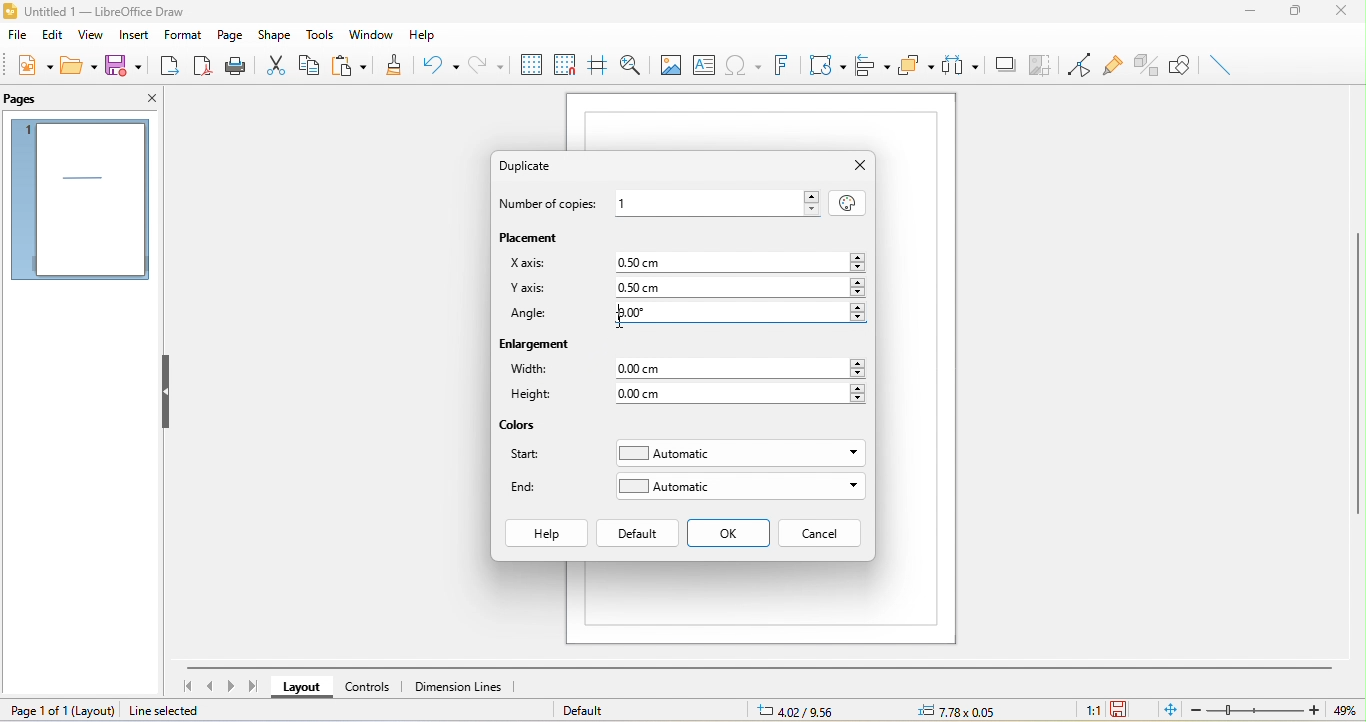 This screenshot has height=722, width=1366. Describe the element at coordinates (820, 533) in the screenshot. I see `cancel` at that location.